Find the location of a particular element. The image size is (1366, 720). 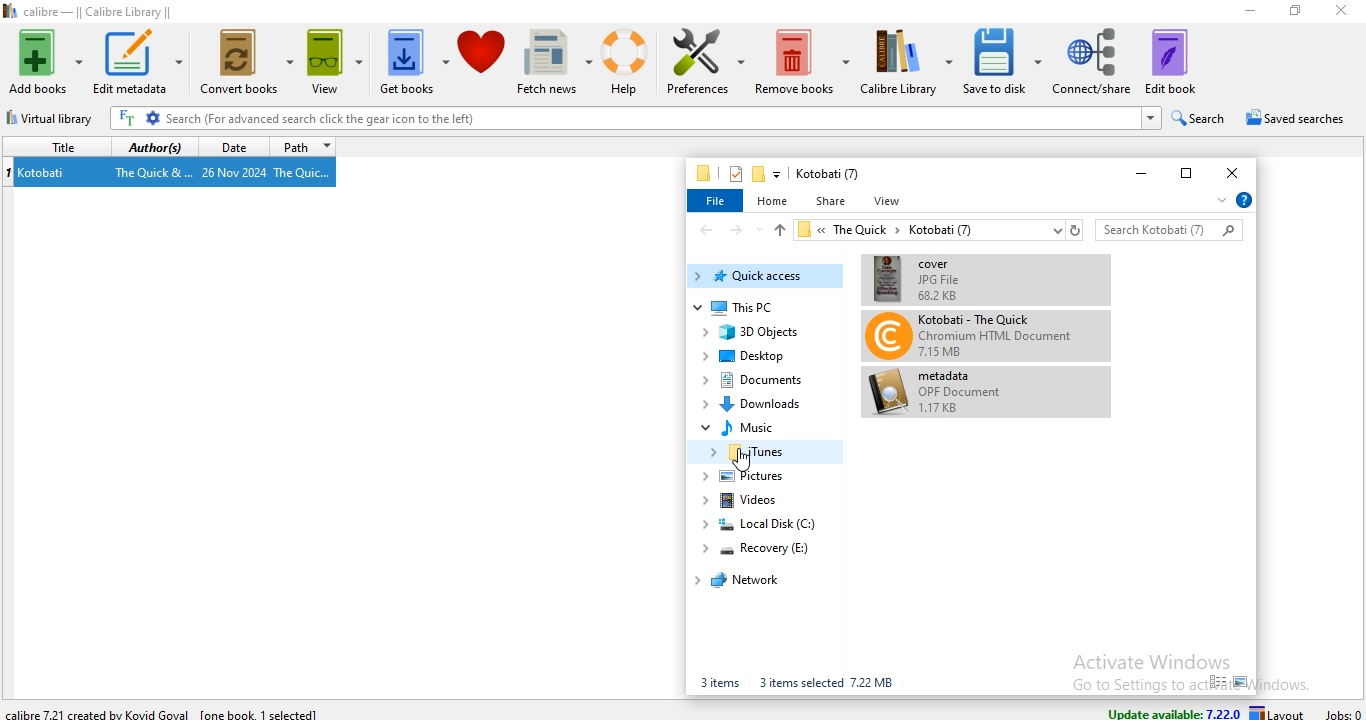

file manager logo is located at coordinates (705, 173).